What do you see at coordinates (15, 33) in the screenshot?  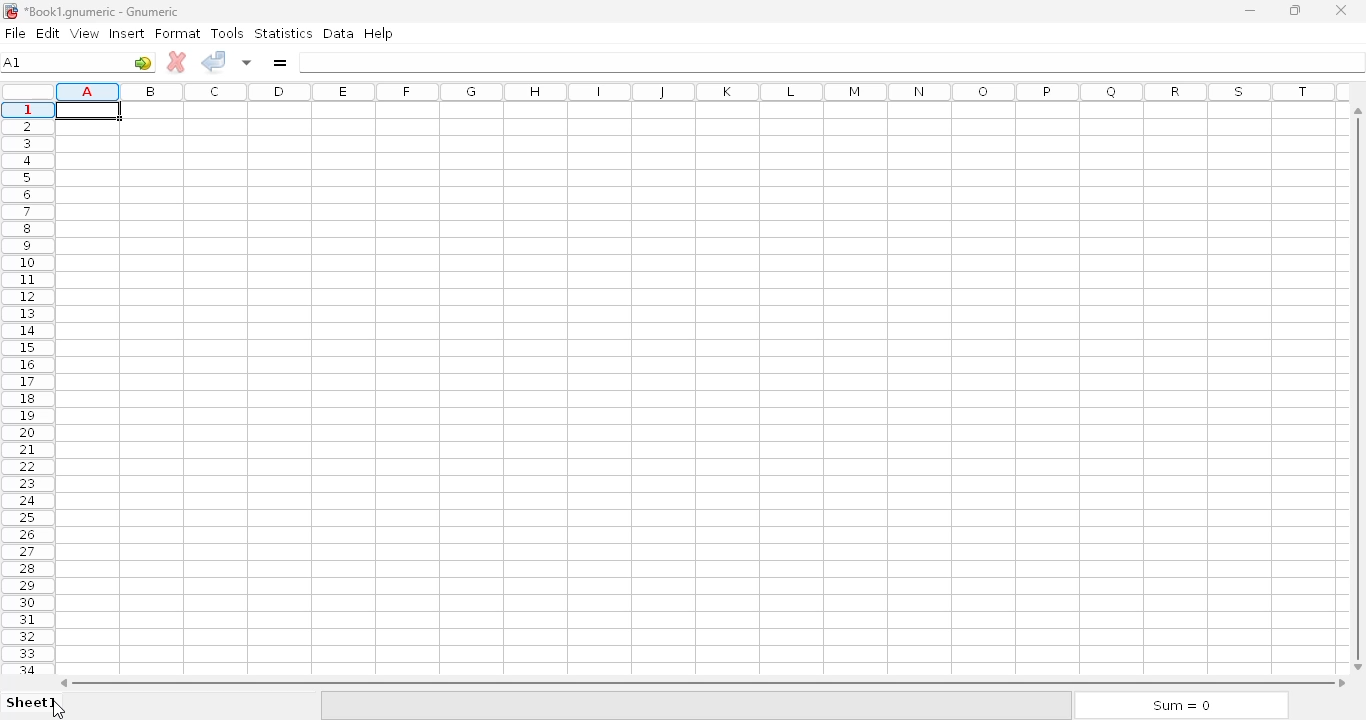 I see `file` at bounding box center [15, 33].